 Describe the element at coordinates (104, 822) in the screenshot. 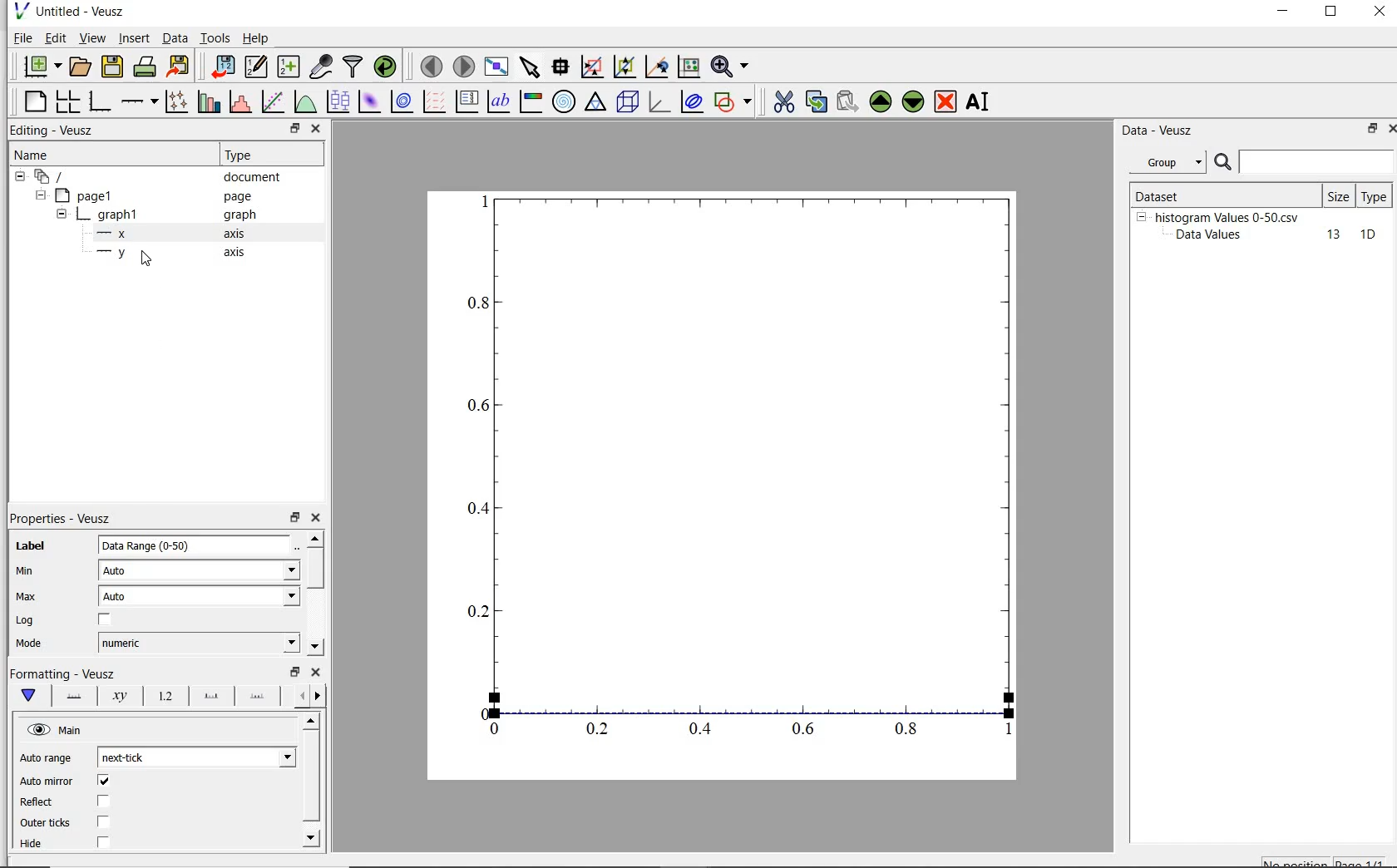

I see `checkbox` at that location.